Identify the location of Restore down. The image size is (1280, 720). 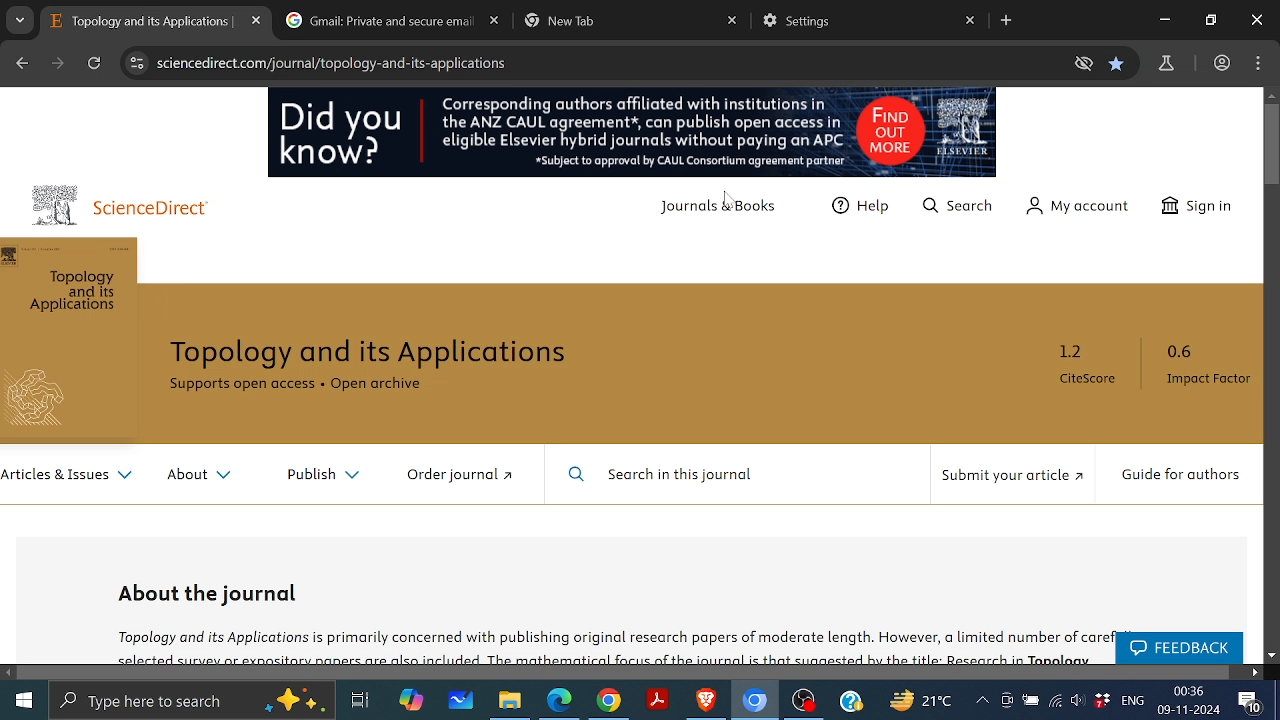
(1211, 19).